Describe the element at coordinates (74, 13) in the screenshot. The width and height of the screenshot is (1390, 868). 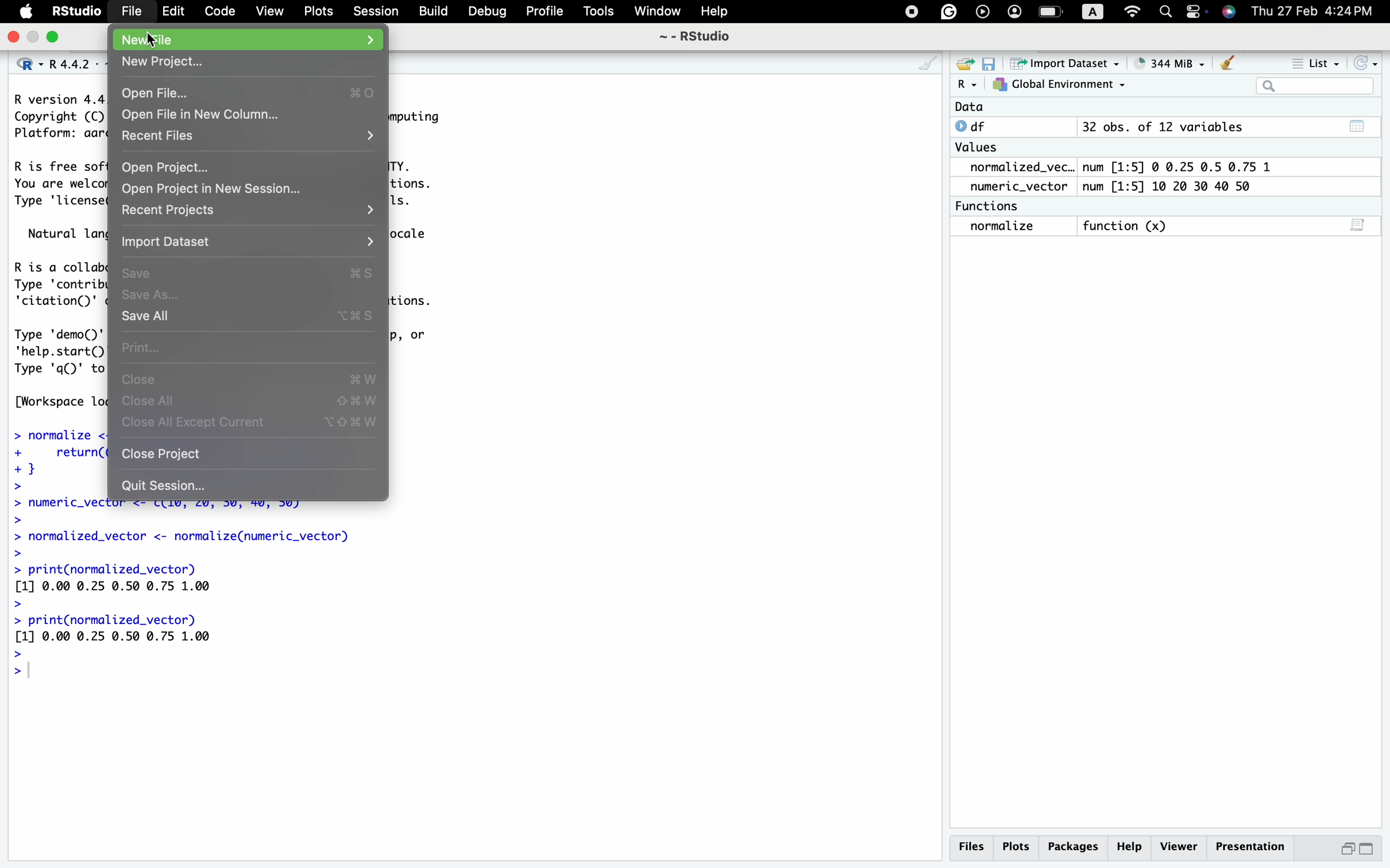
I see `RStudio` at that location.